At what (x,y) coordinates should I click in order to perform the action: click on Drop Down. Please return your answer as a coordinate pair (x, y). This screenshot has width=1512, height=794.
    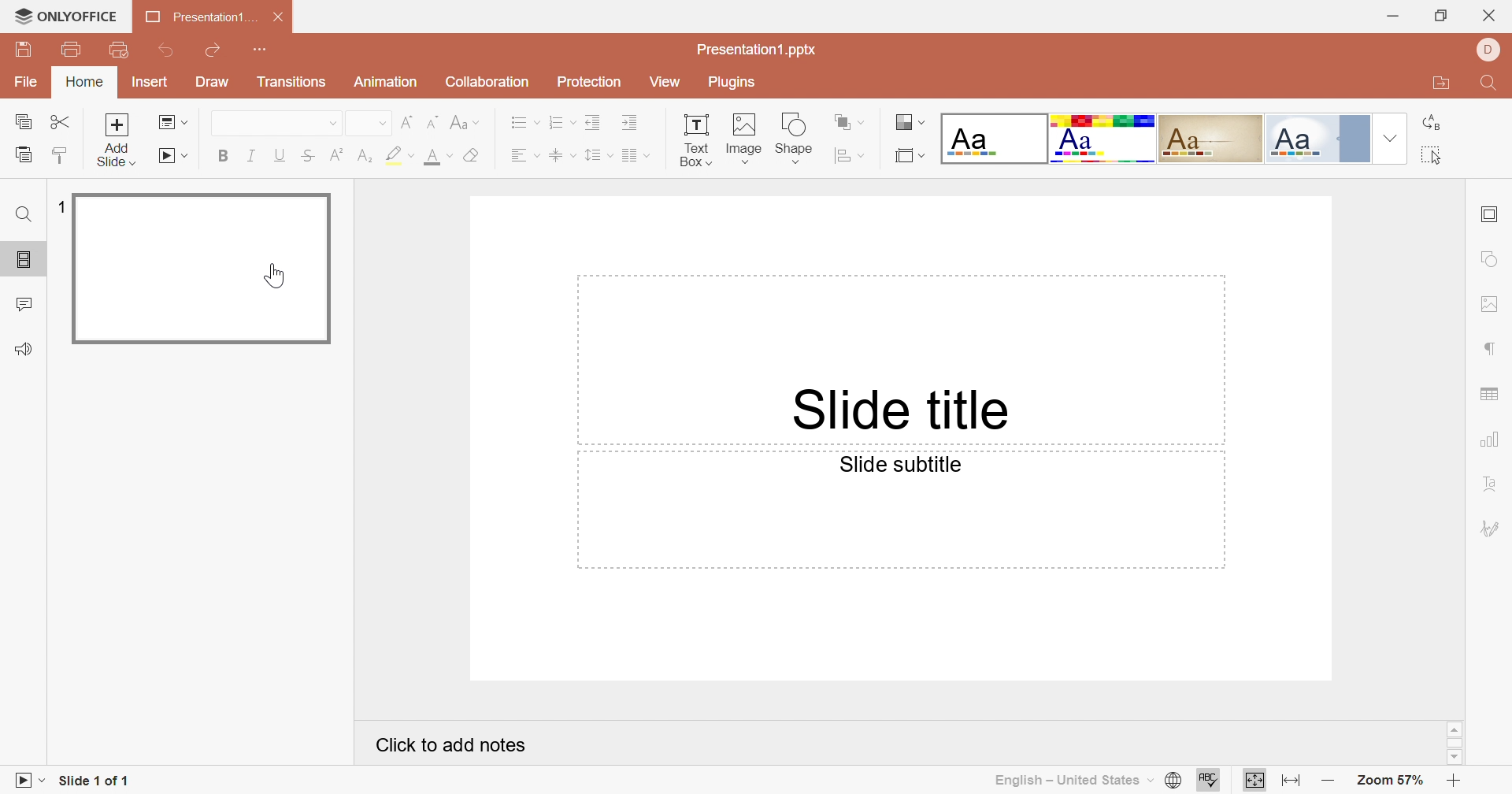
    Looking at the image, I should click on (930, 123).